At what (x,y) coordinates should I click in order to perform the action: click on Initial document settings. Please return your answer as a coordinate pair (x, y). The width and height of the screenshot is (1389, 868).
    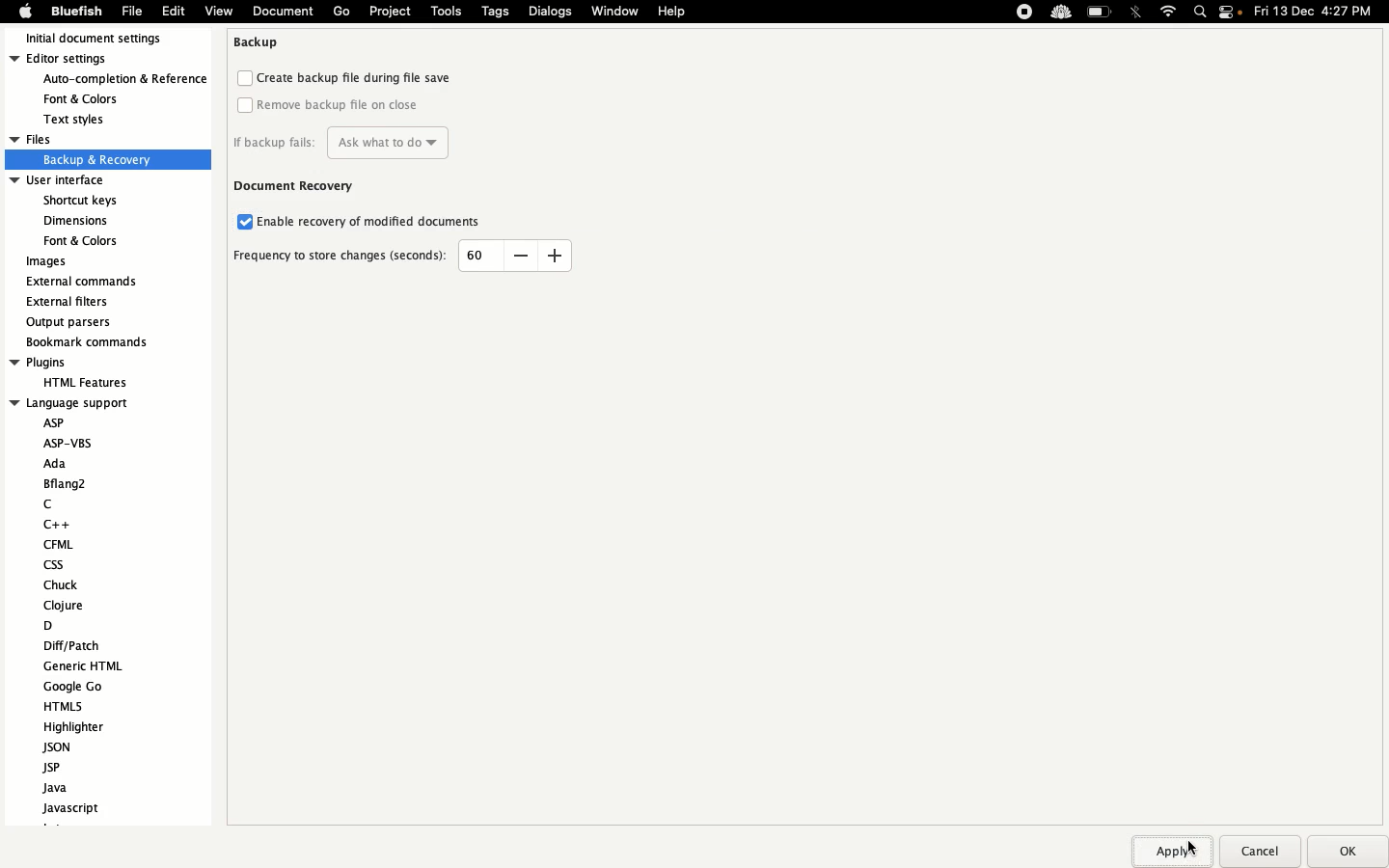
    Looking at the image, I should click on (102, 39).